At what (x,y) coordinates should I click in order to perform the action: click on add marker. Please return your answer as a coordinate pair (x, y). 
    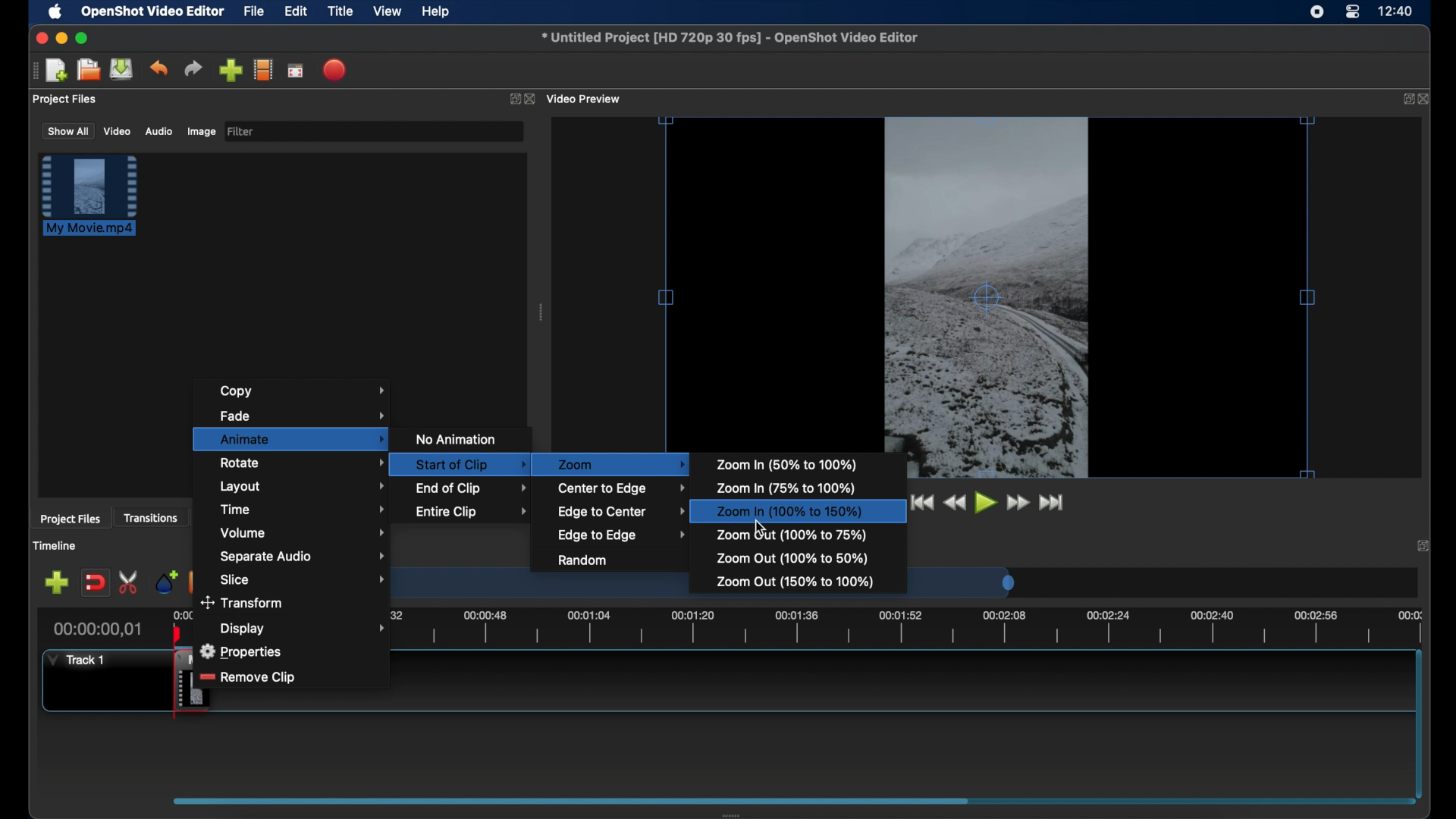
    Looking at the image, I should click on (165, 581).